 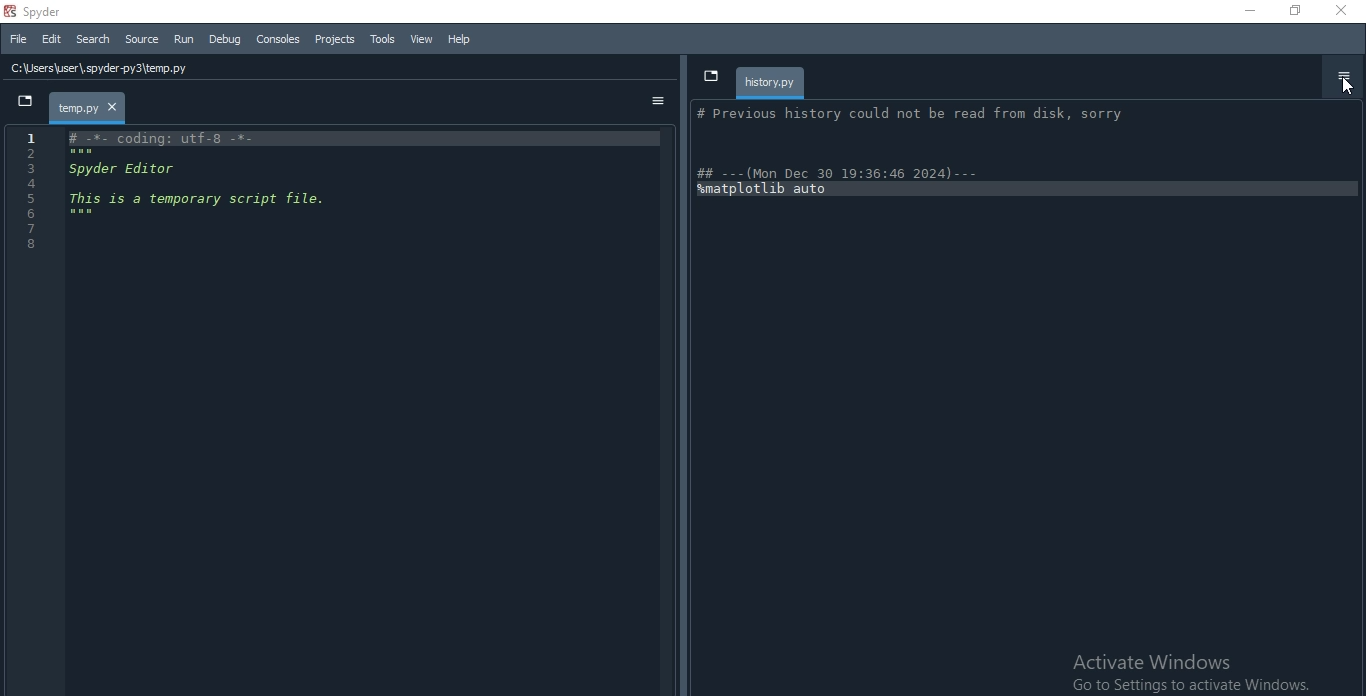 What do you see at coordinates (225, 39) in the screenshot?
I see `Debug` at bounding box center [225, 39].